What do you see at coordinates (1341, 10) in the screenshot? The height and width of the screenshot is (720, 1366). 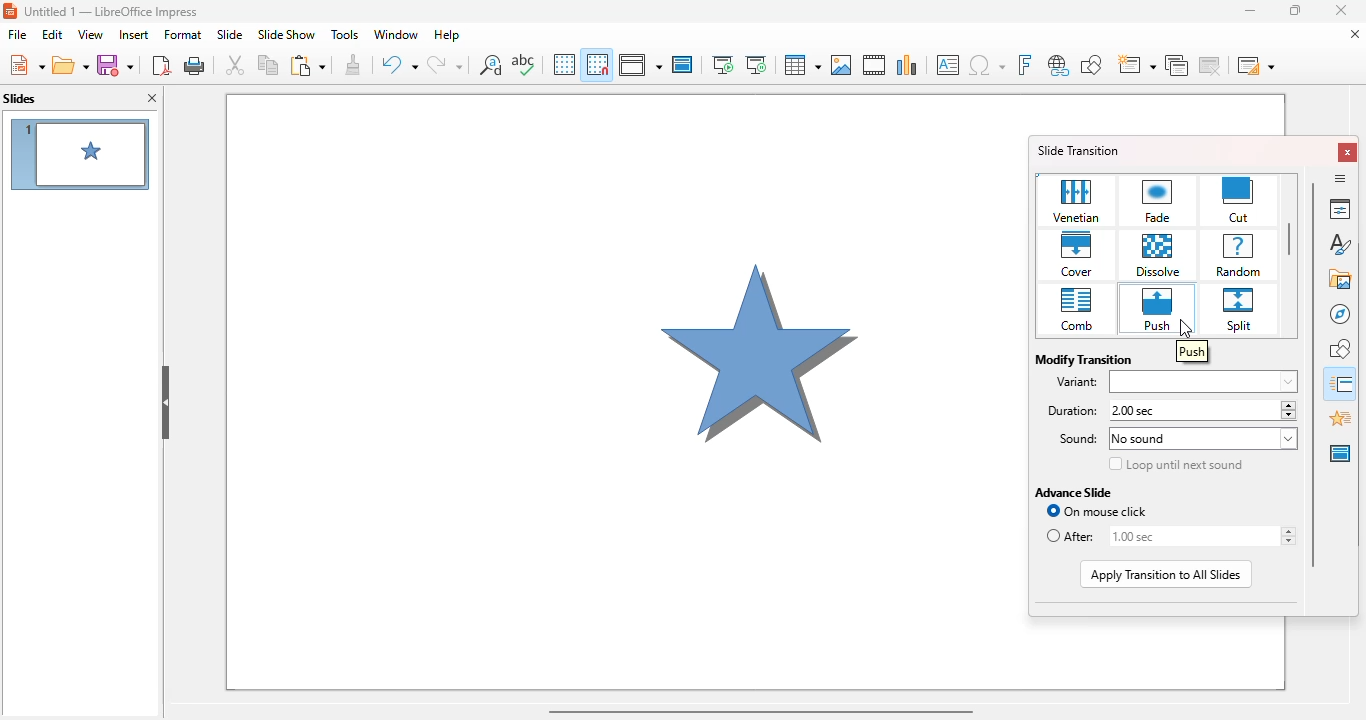 I see `close` at bounding box center [1341, 10].